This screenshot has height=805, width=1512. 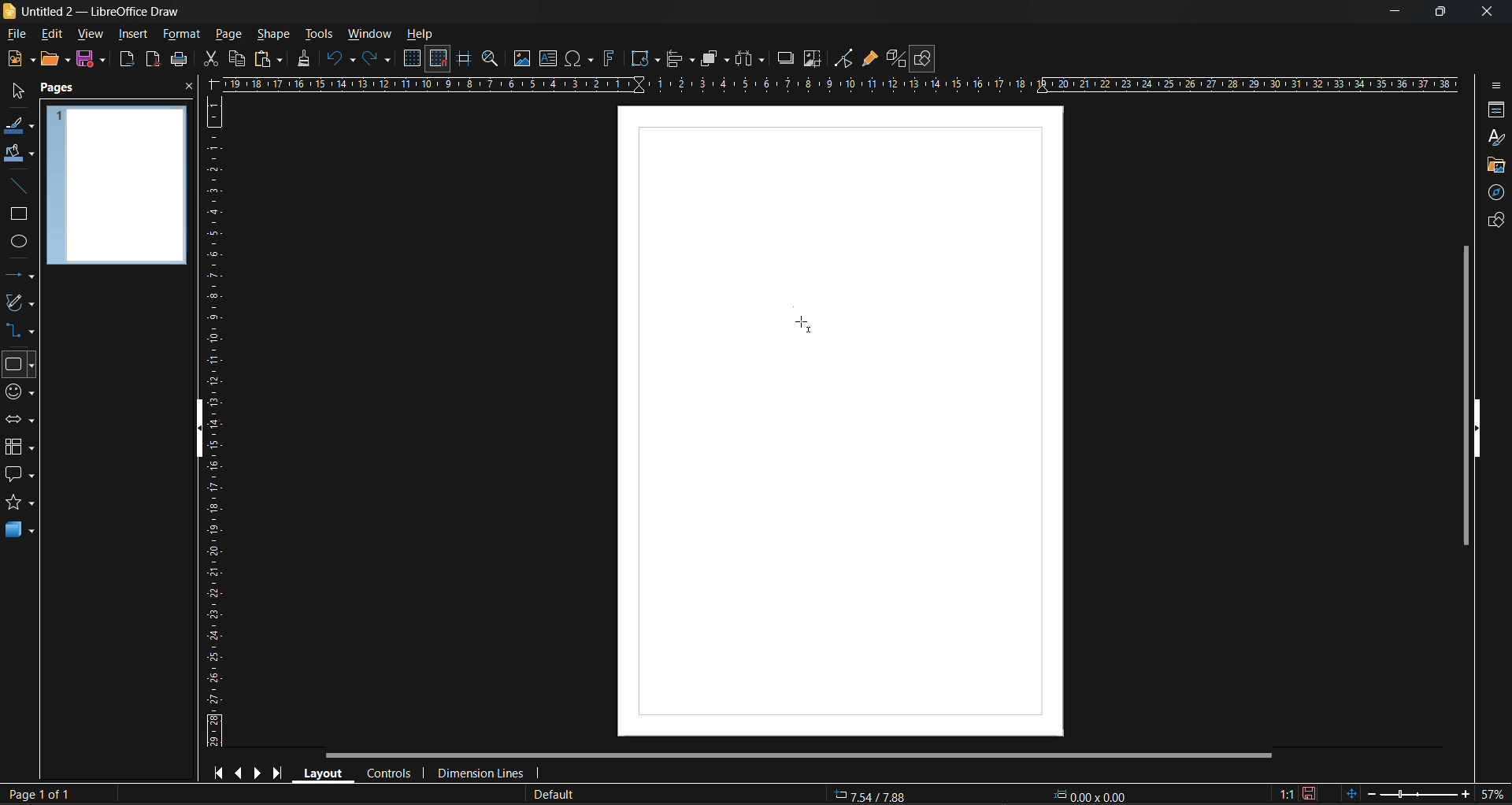 What do you see at coordinates (551, 58) in the screenshot?
I see `text box` at bounding box center [551, 58].